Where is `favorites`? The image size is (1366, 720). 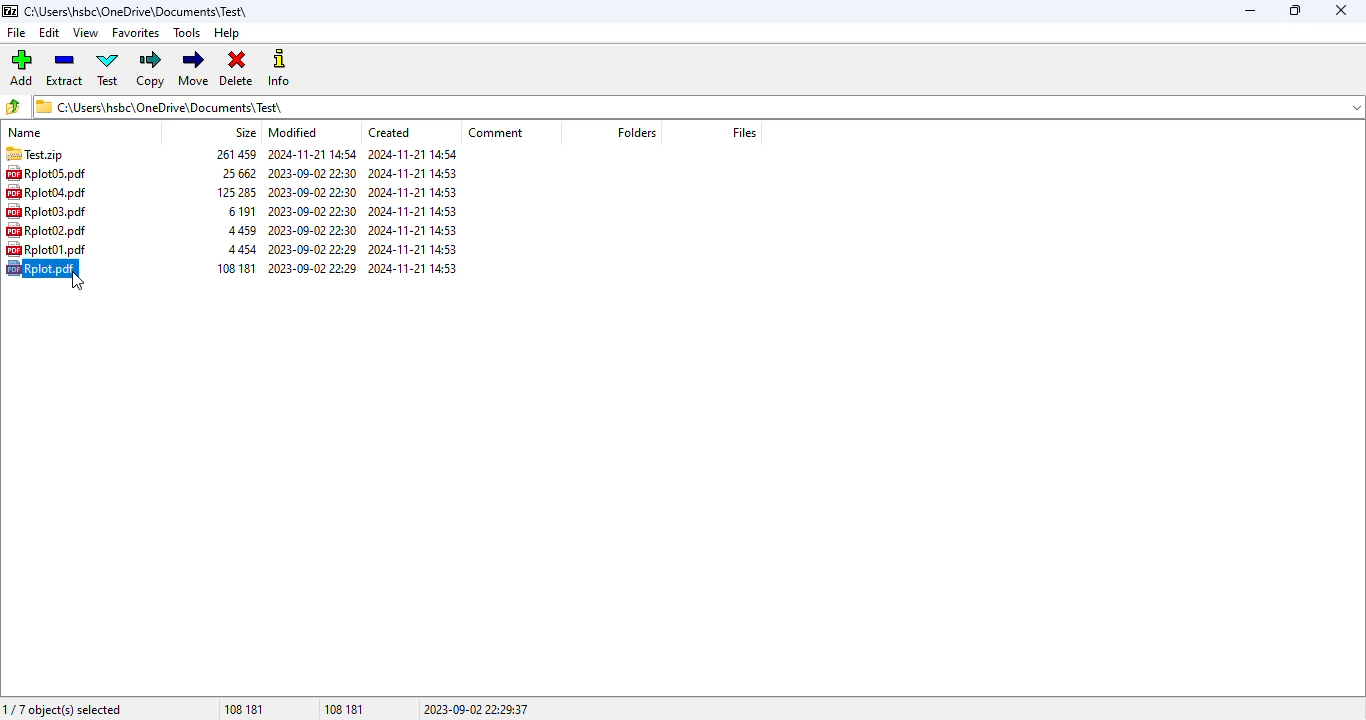 favorites is located at coordinates (136, 33).